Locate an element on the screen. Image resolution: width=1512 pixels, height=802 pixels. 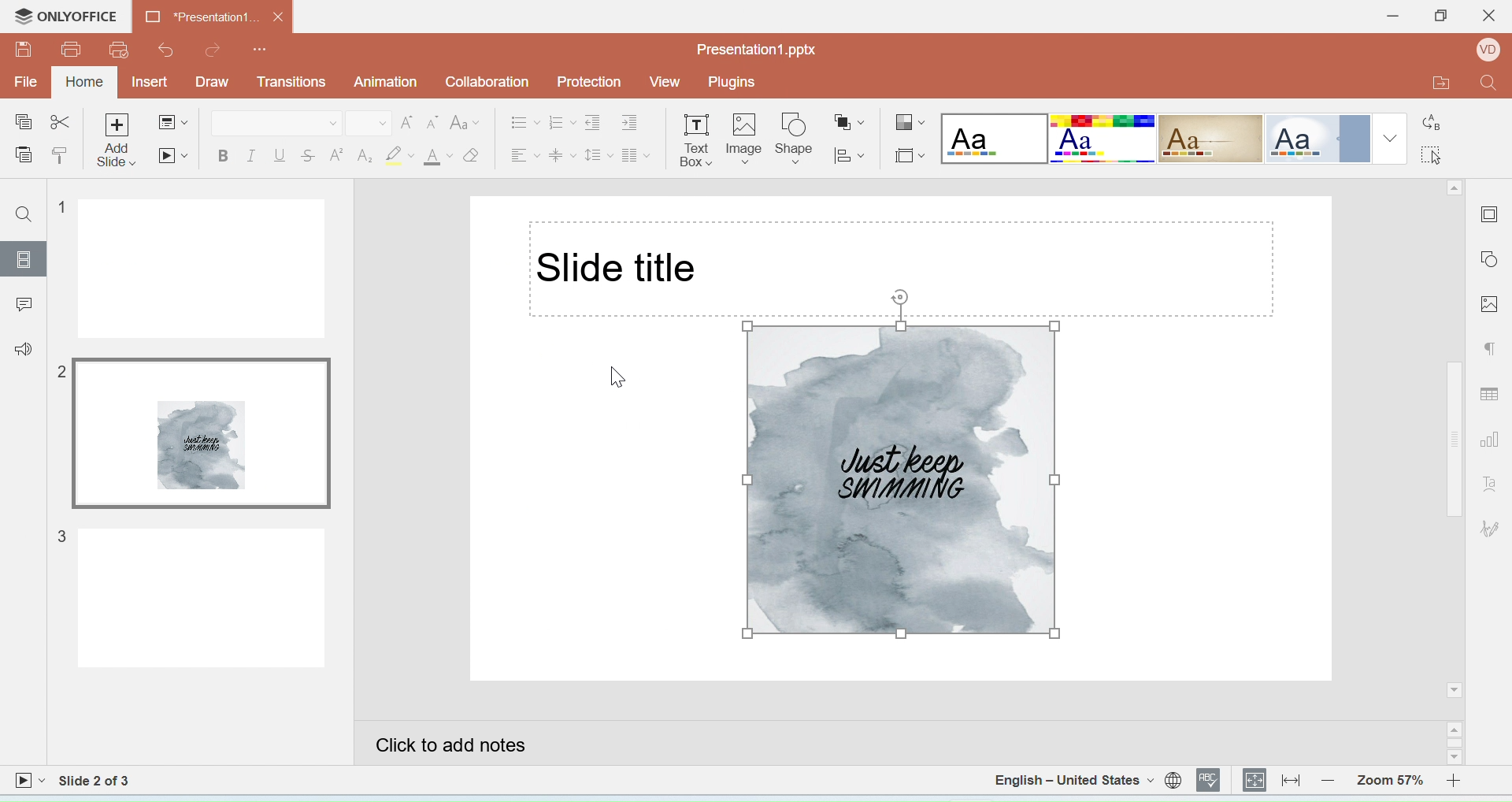
Basic is located at coordinates (1103, 139).